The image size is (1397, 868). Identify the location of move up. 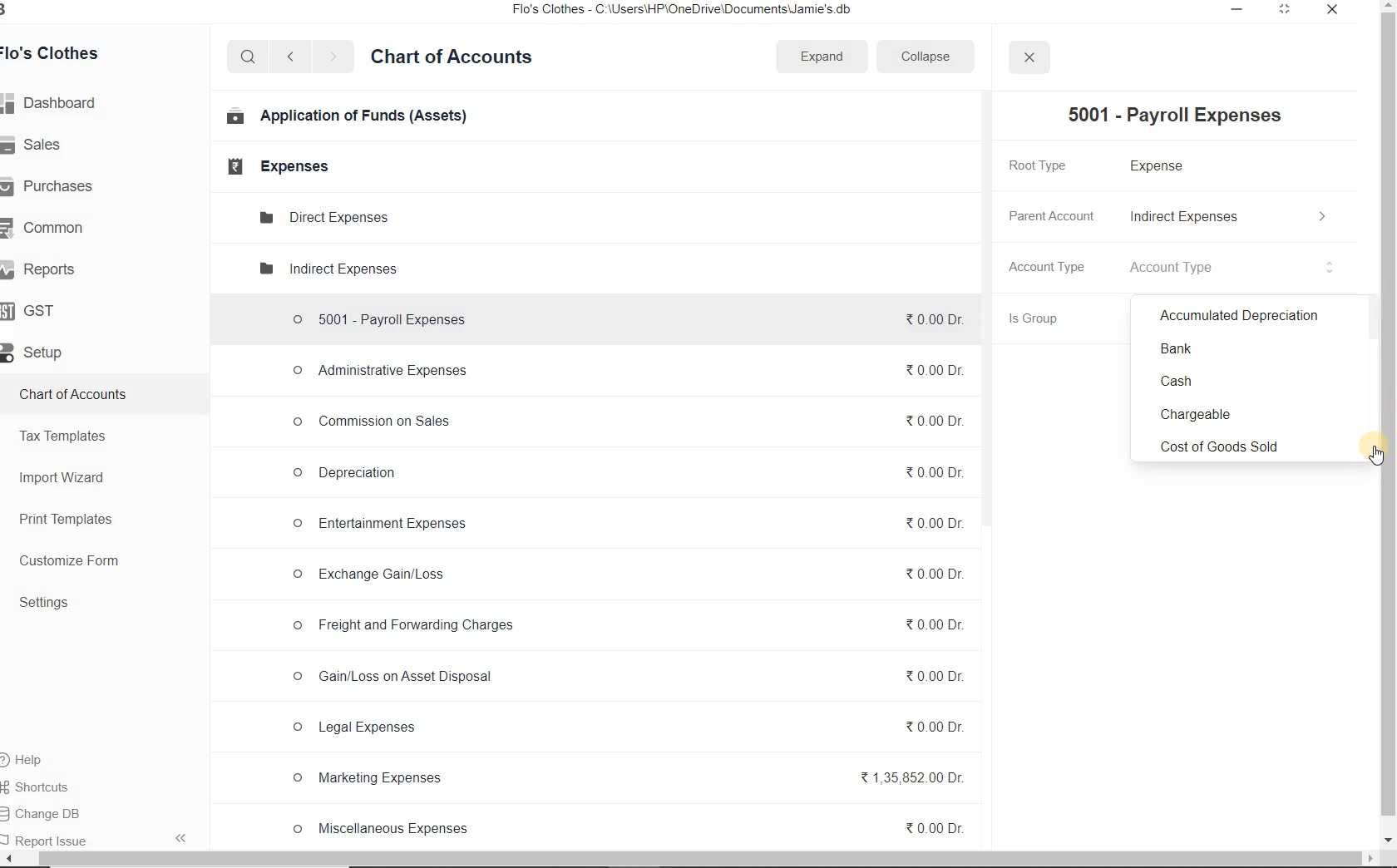
(1389, 6).